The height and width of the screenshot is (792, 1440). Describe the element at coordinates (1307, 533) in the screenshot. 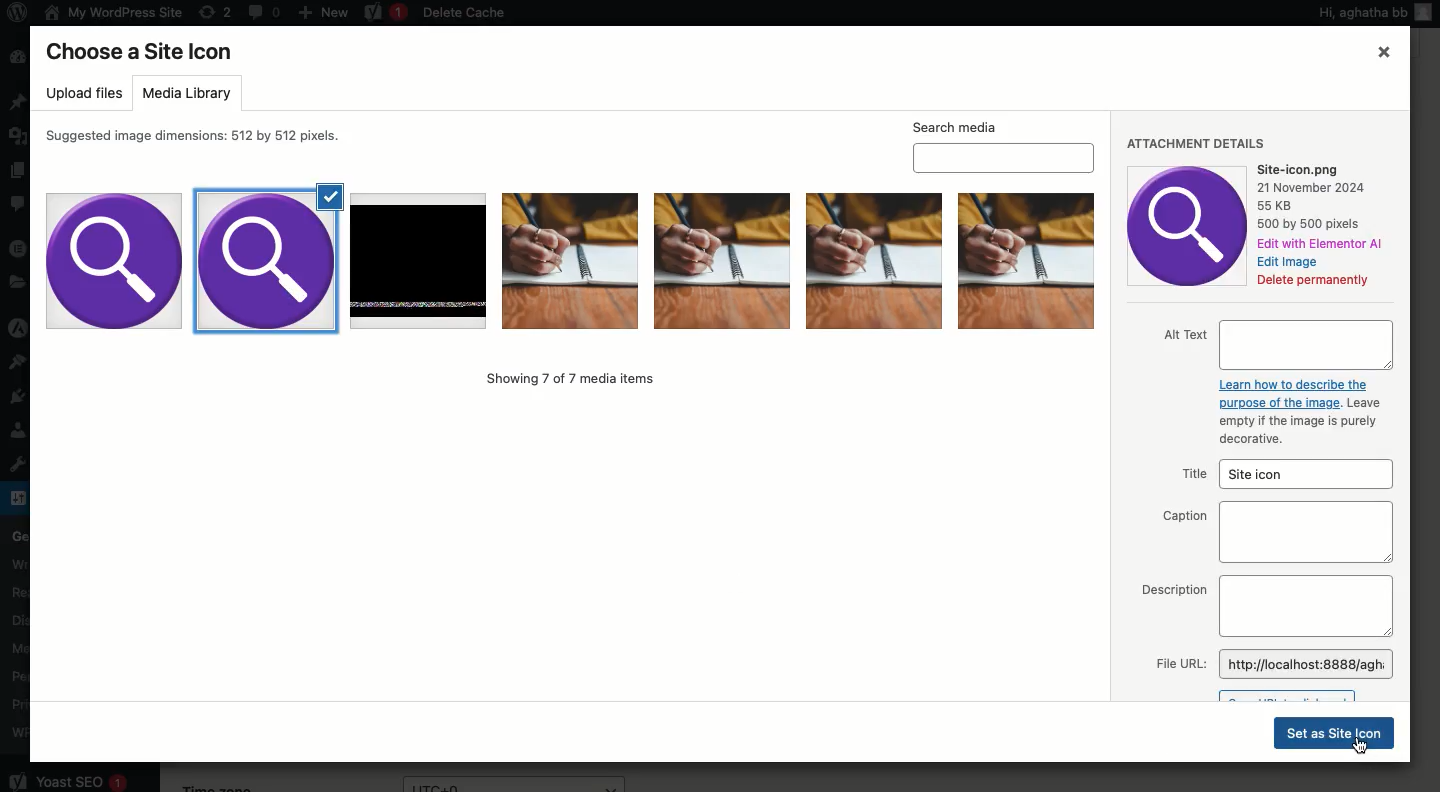

I see `Text area` at that location.